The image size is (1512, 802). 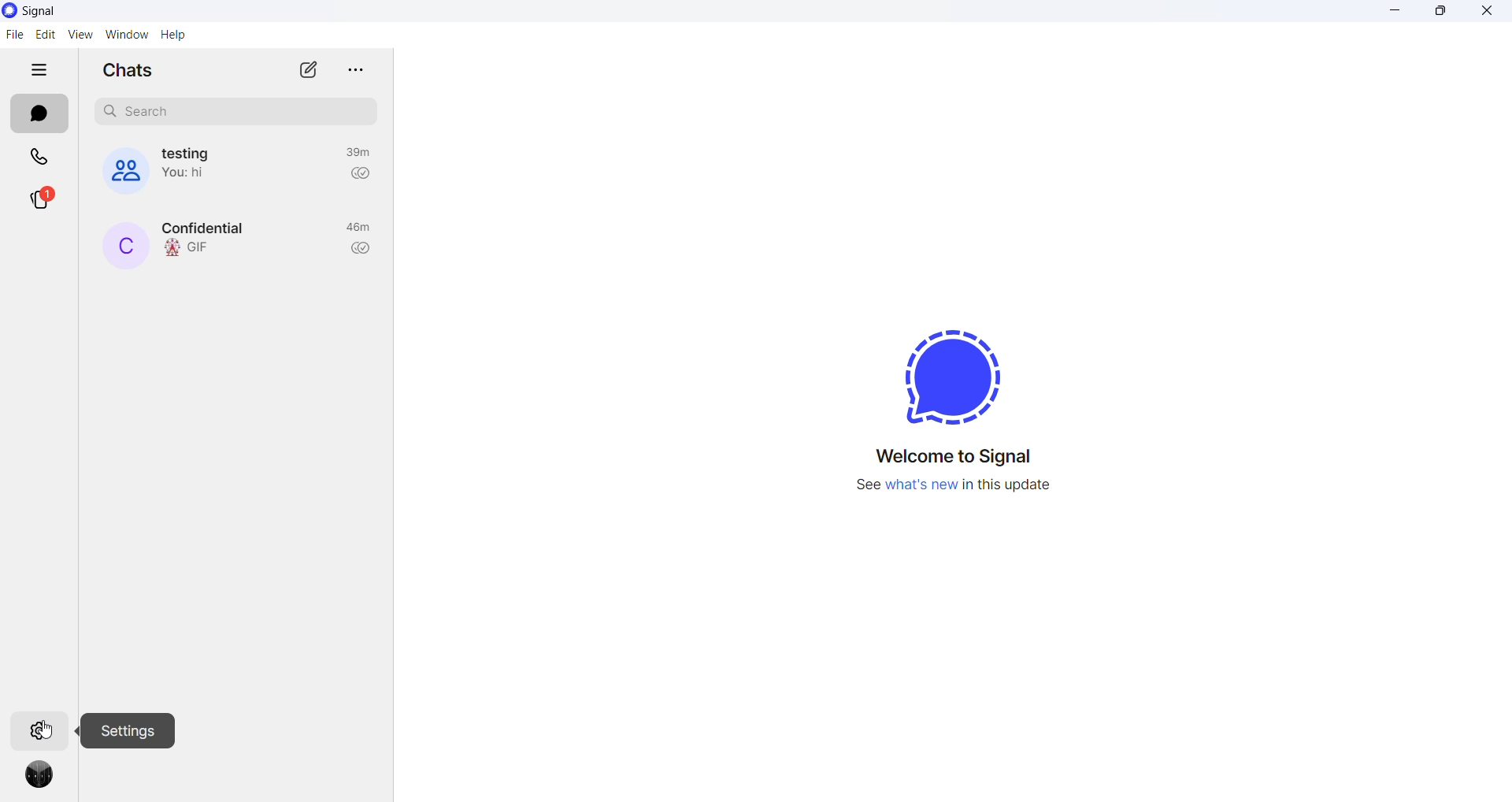 What do you see at coordinates (956, 373) in the screenshot?
I see `signal logo` at bounding box center [956, 373].